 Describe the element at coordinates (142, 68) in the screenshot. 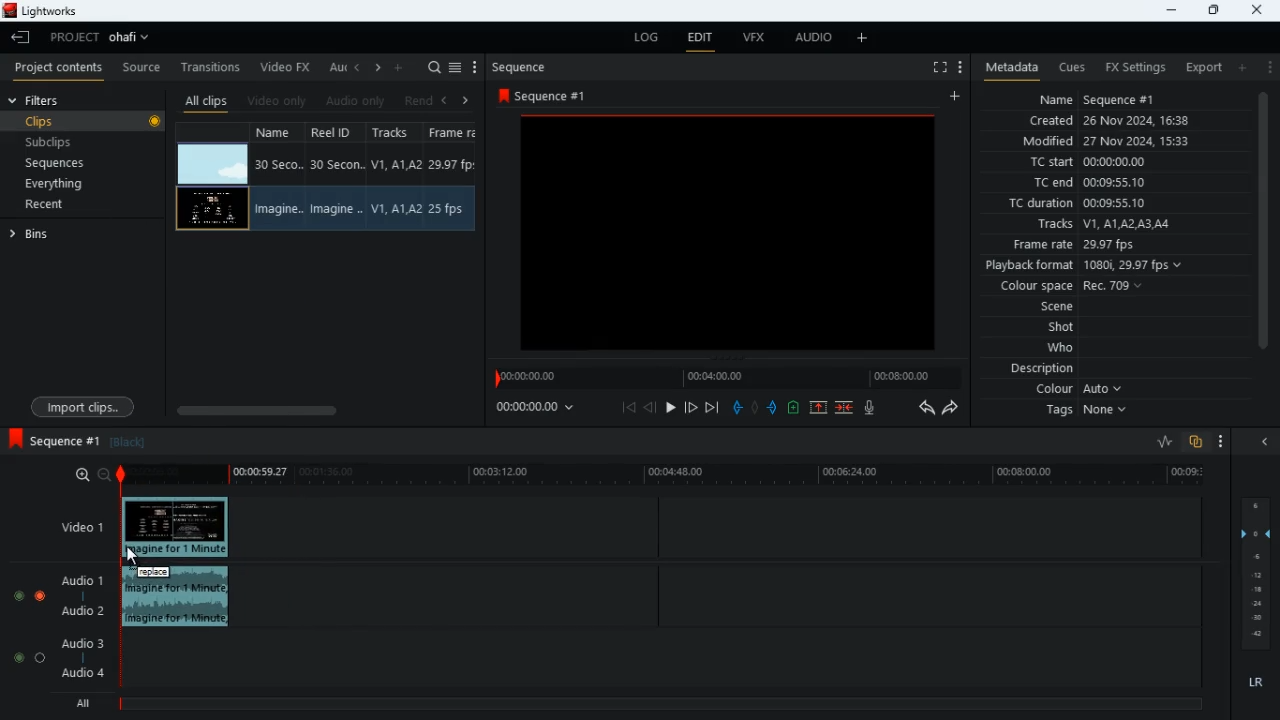

I see `source` at that location.